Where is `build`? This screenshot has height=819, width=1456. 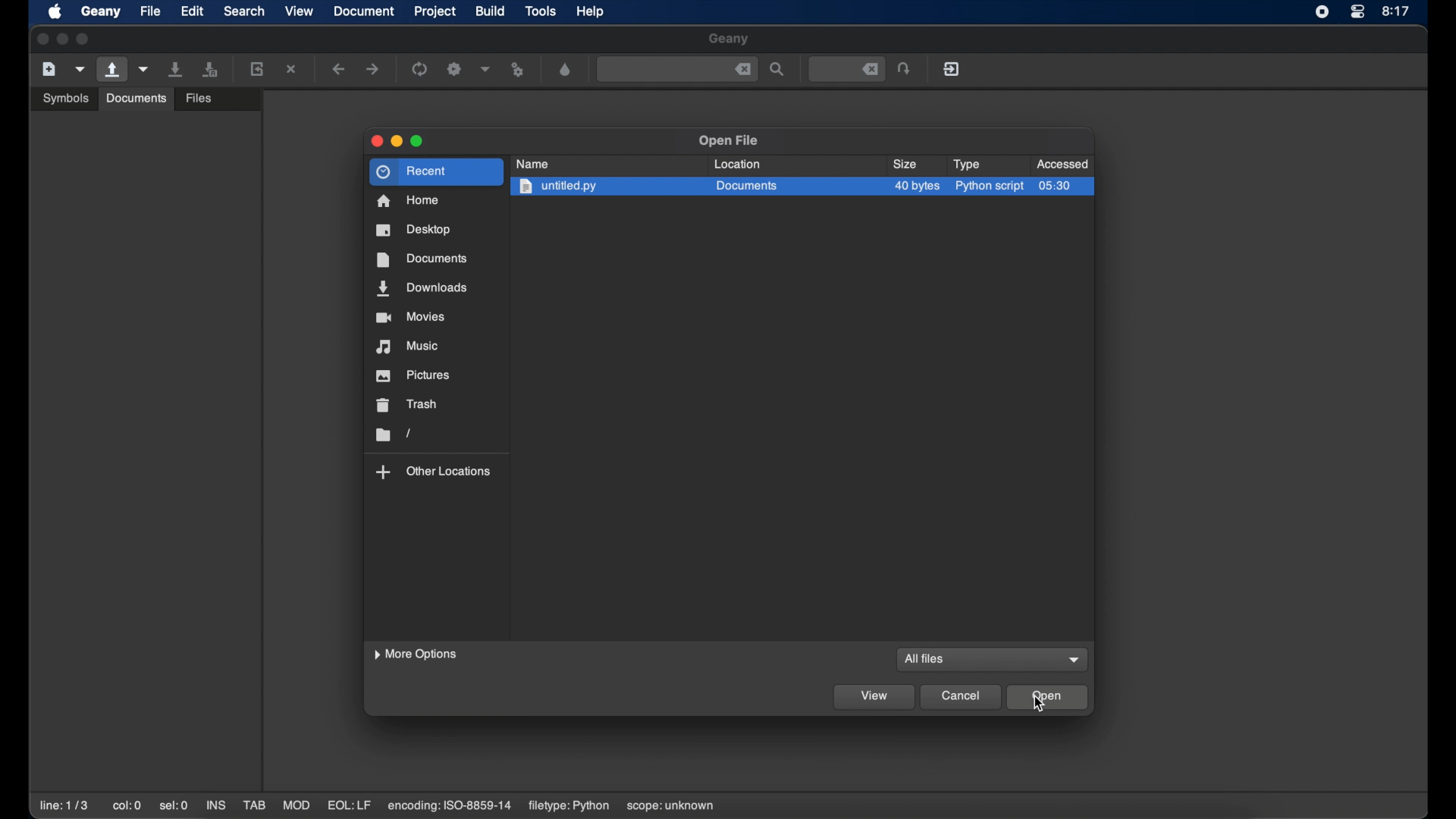
build is located at coordinates (491, 11).